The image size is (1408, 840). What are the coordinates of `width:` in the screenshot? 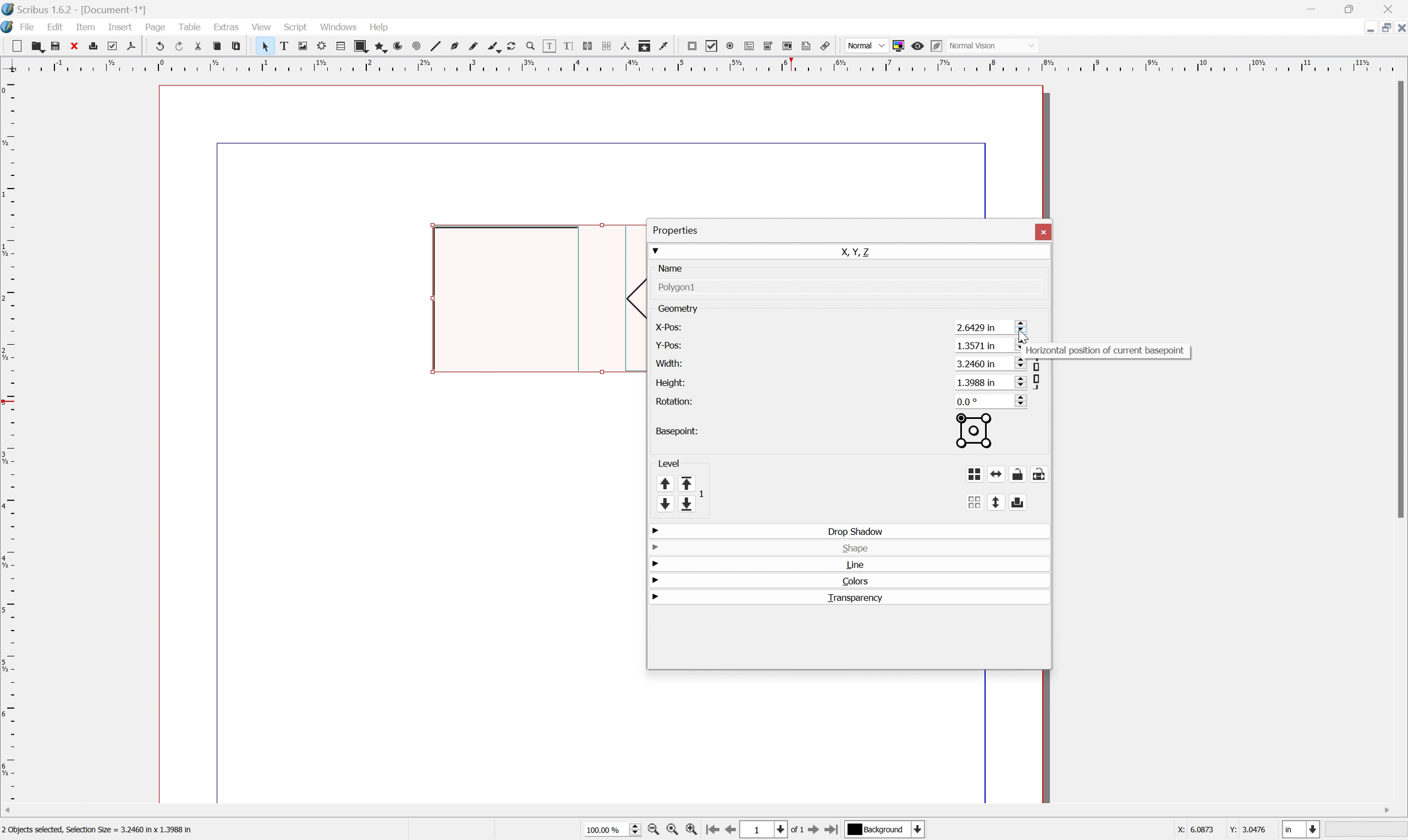 It's located at (667, 362).